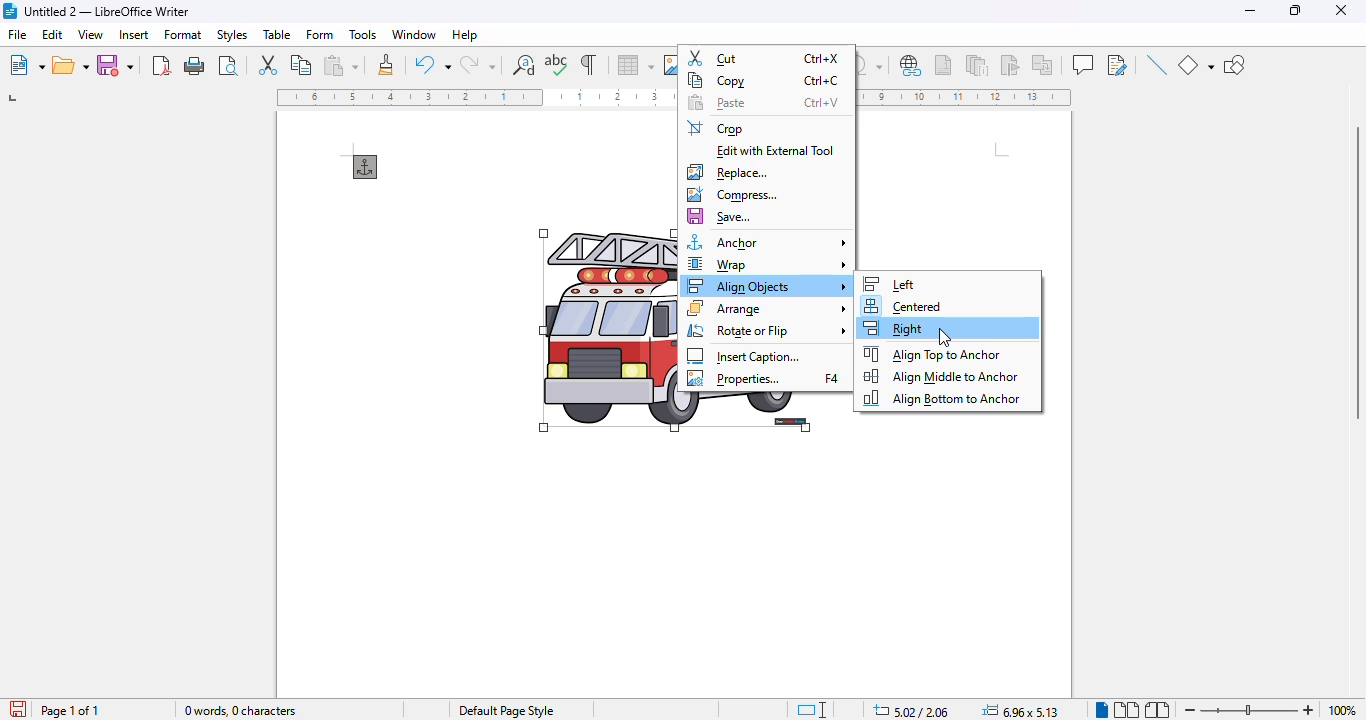 The image size is (1366, 720). Describe the element at coordinates (731, 195) in the screenshot. I see `compress` at that location.